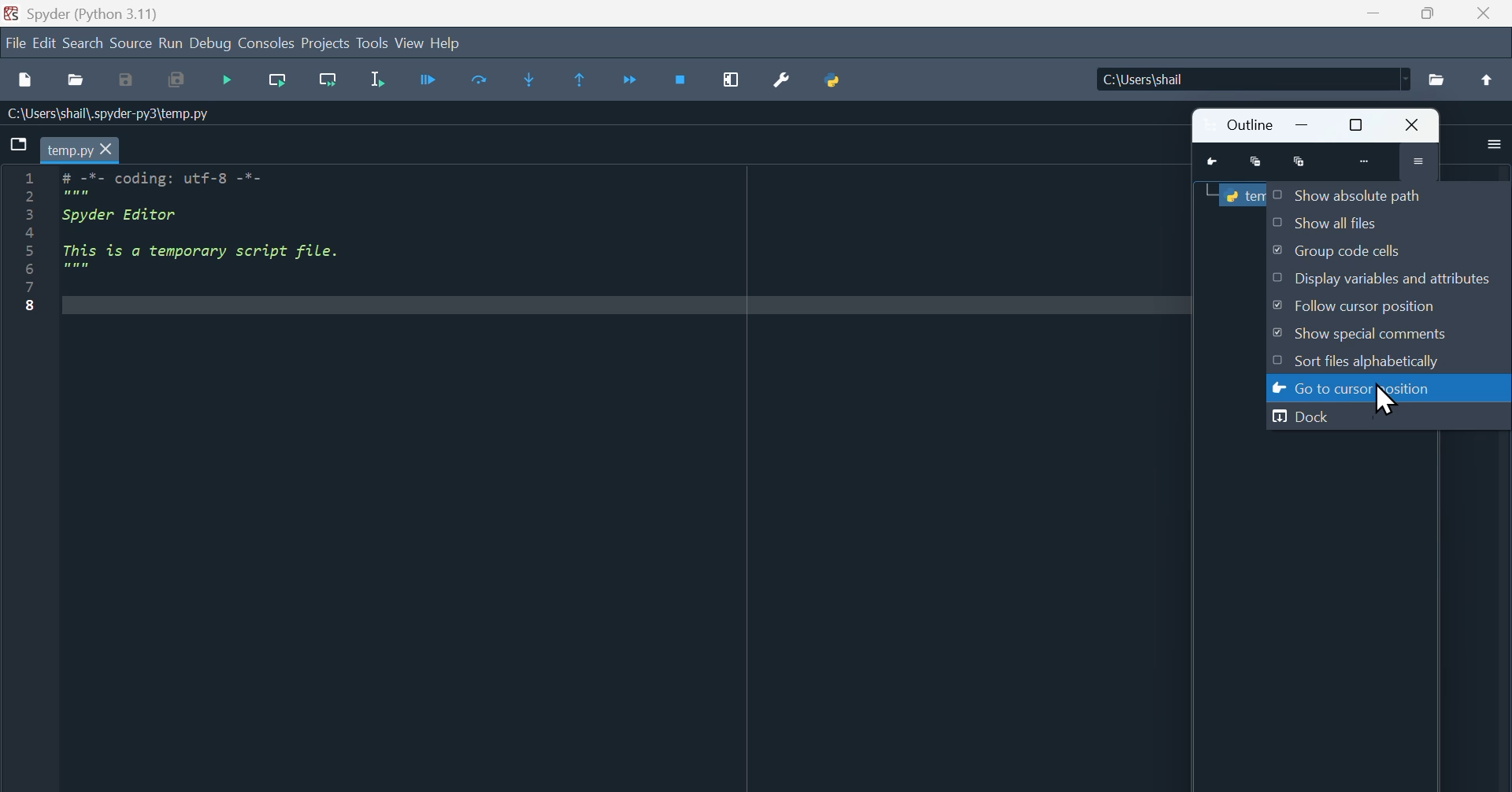  Describe the element at coordinates (265, 42) in the screenshot. I see `Consoles` at that location.